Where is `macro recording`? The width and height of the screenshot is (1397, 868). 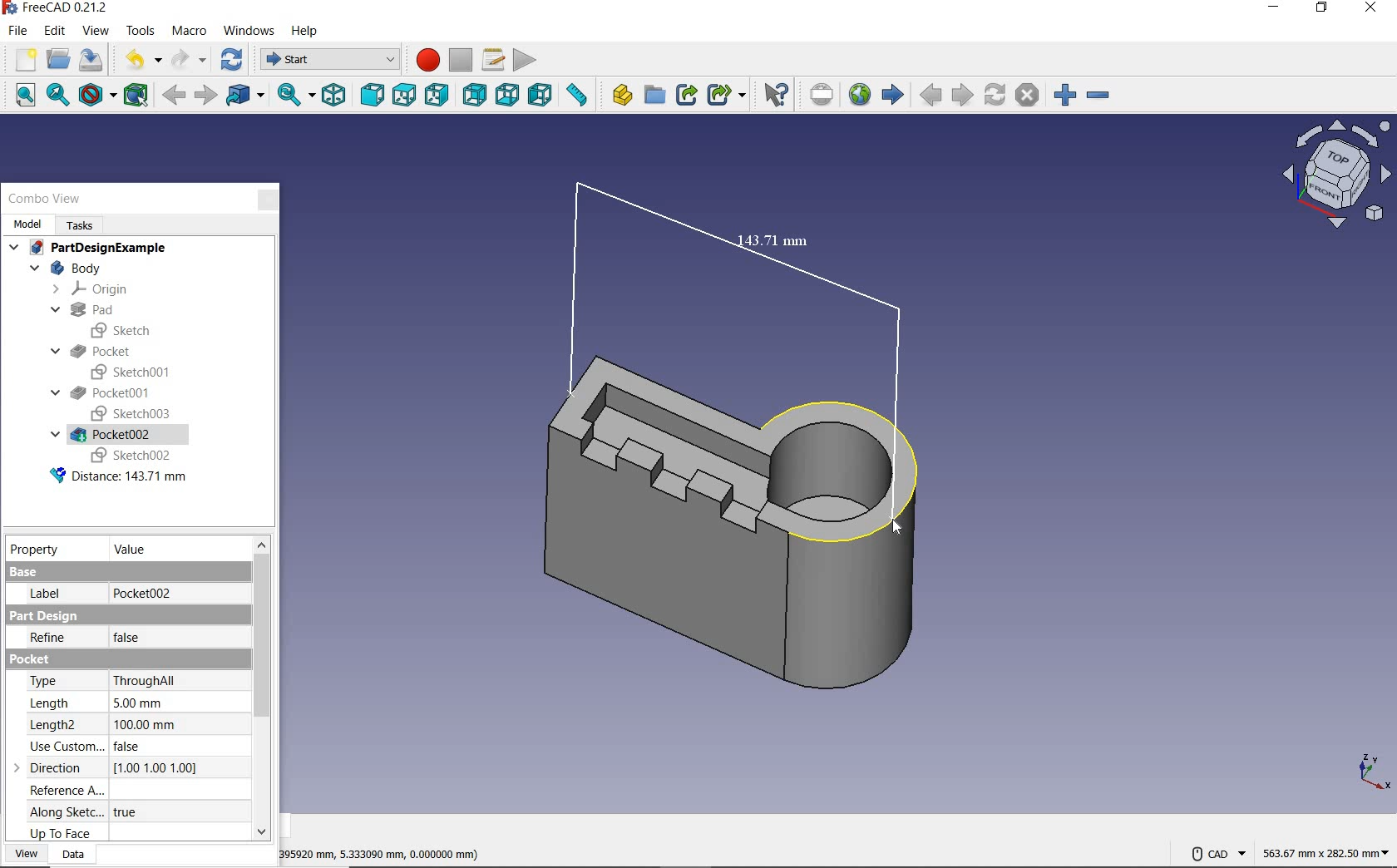 macro recording is located at coordinates (423, 60).